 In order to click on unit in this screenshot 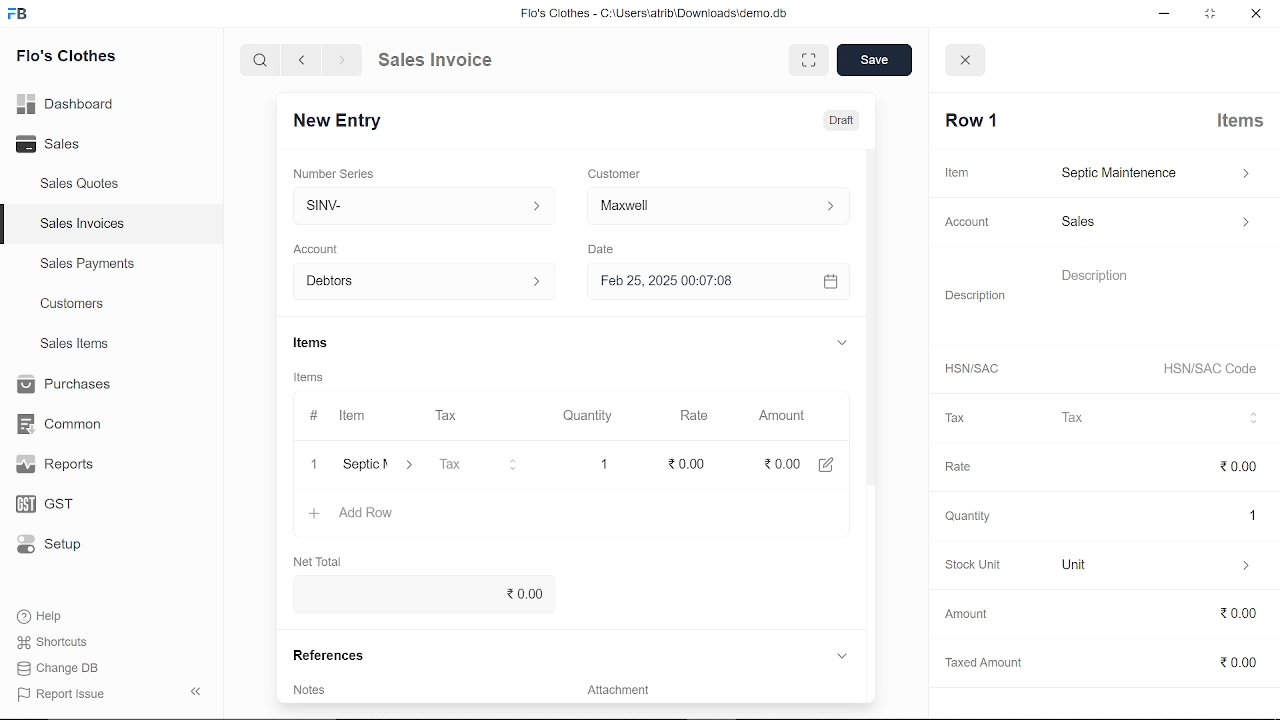, I will do `click(1158, 566)`.